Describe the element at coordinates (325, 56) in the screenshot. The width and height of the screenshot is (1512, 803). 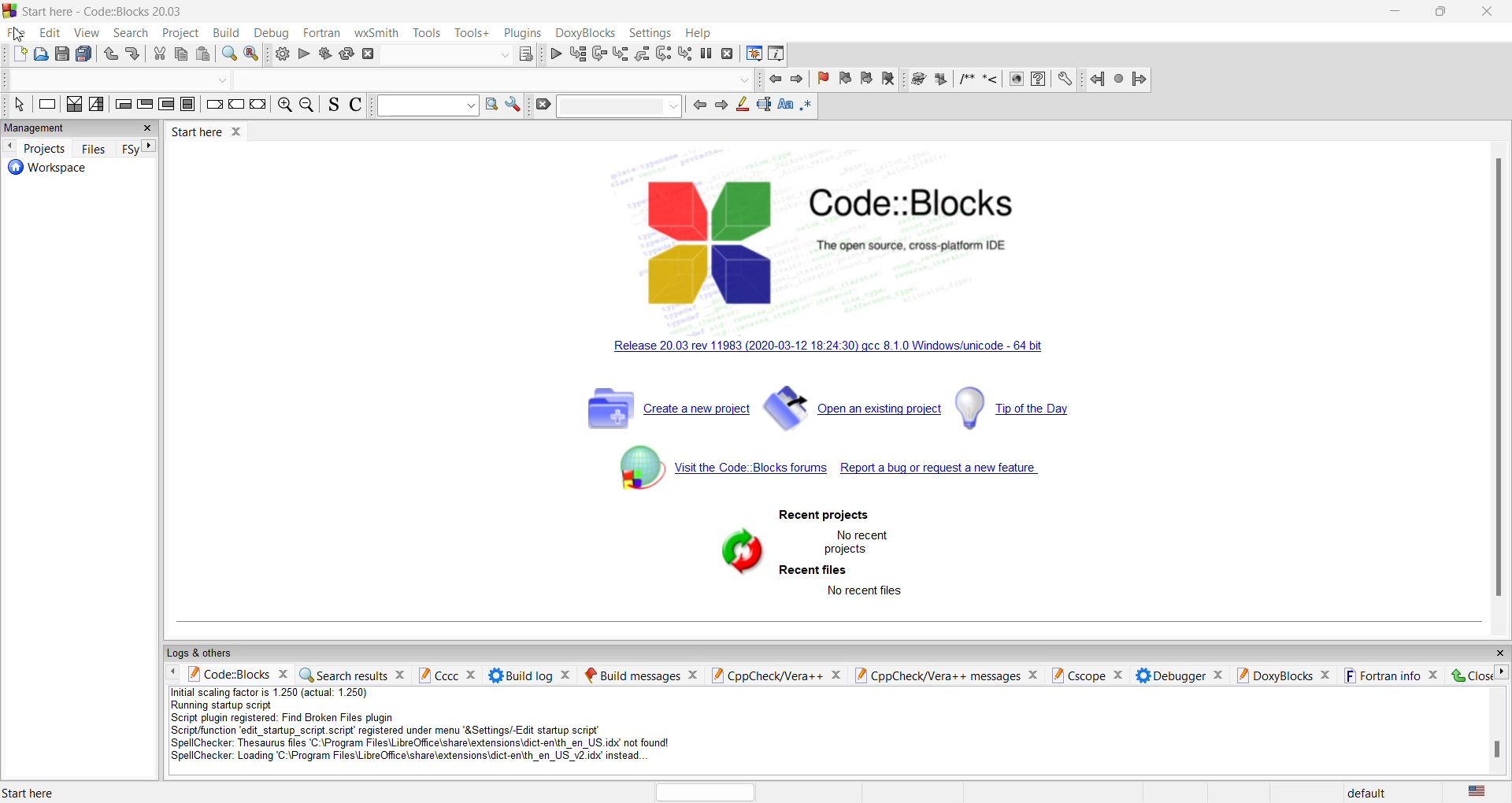
I see `build` at that location.